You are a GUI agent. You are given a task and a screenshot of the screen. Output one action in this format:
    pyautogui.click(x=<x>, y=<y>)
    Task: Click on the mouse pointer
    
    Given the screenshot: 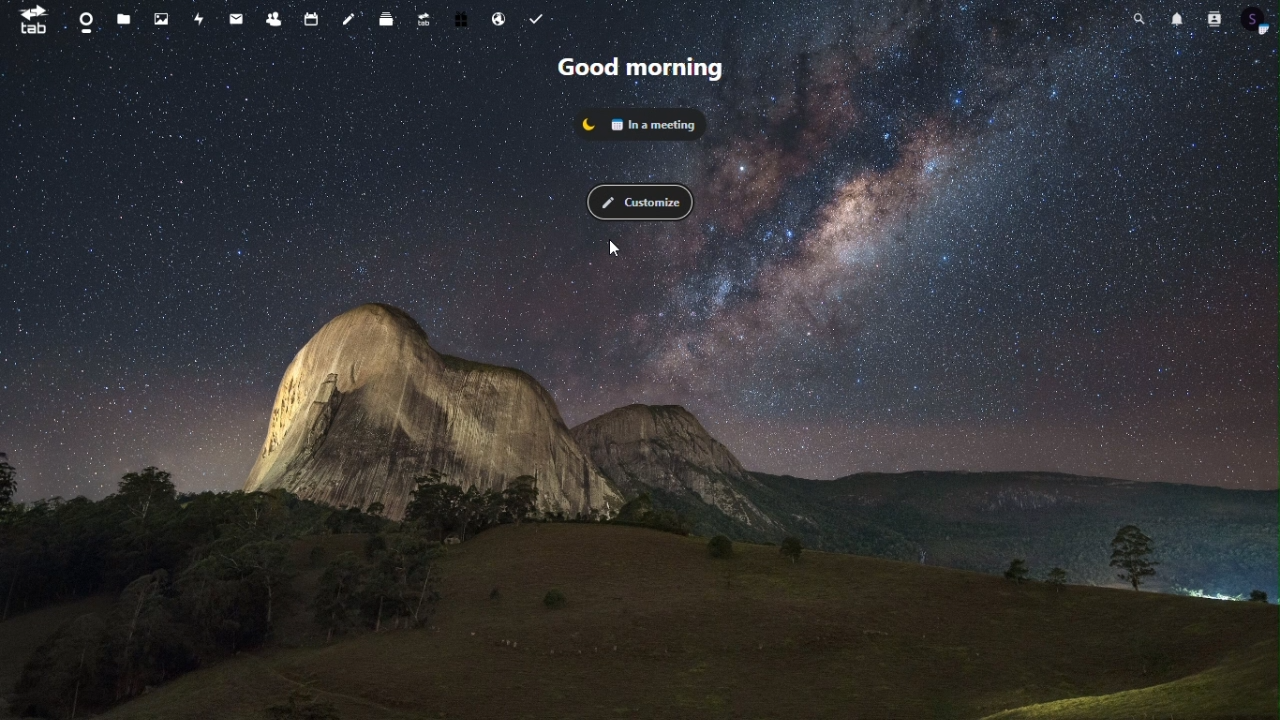 What is the action you would take?
    pyautogui.click(x=618, y=248)
    